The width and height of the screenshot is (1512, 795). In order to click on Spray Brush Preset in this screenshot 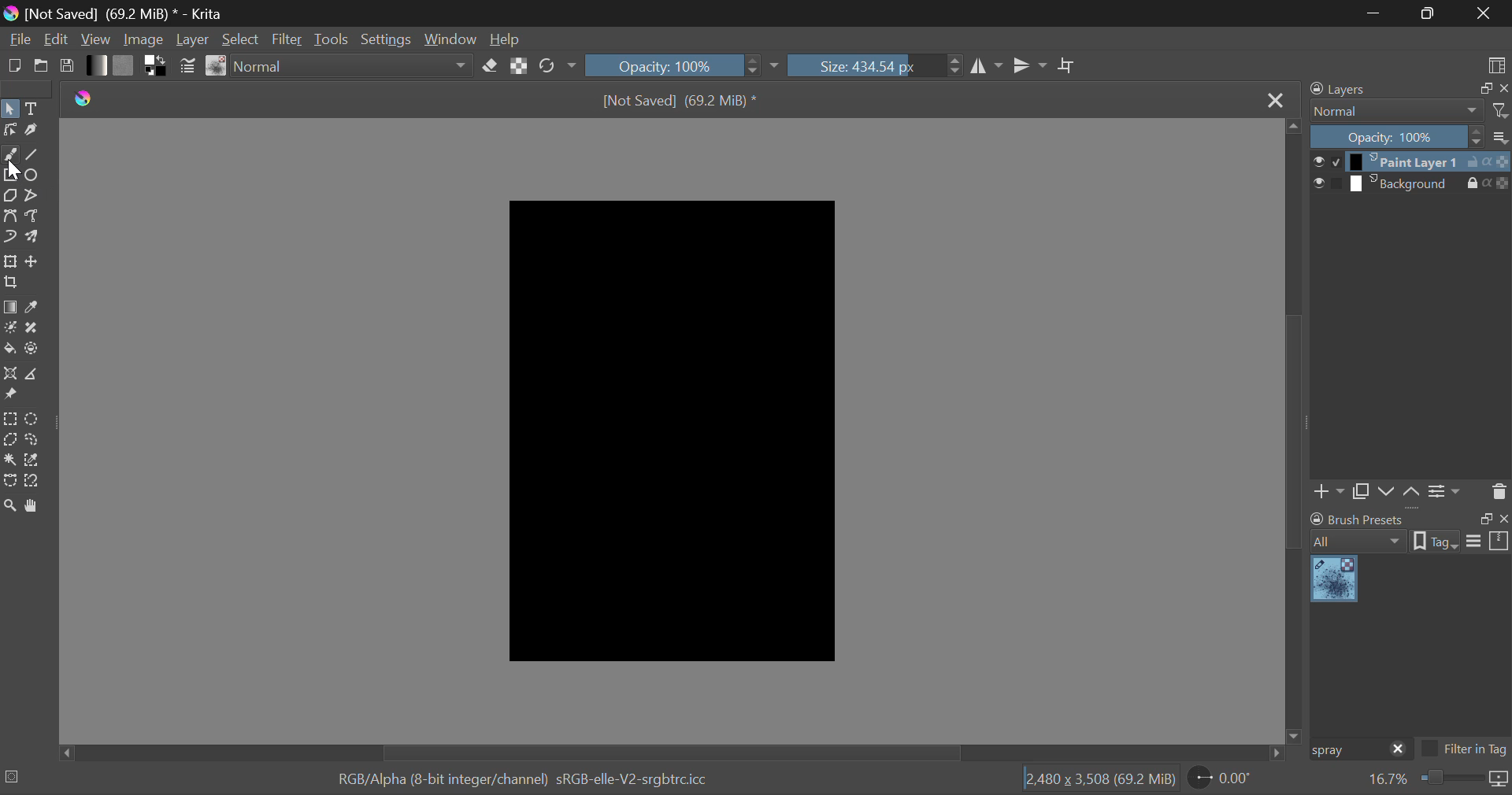, I will do `click(1334, 580)`.